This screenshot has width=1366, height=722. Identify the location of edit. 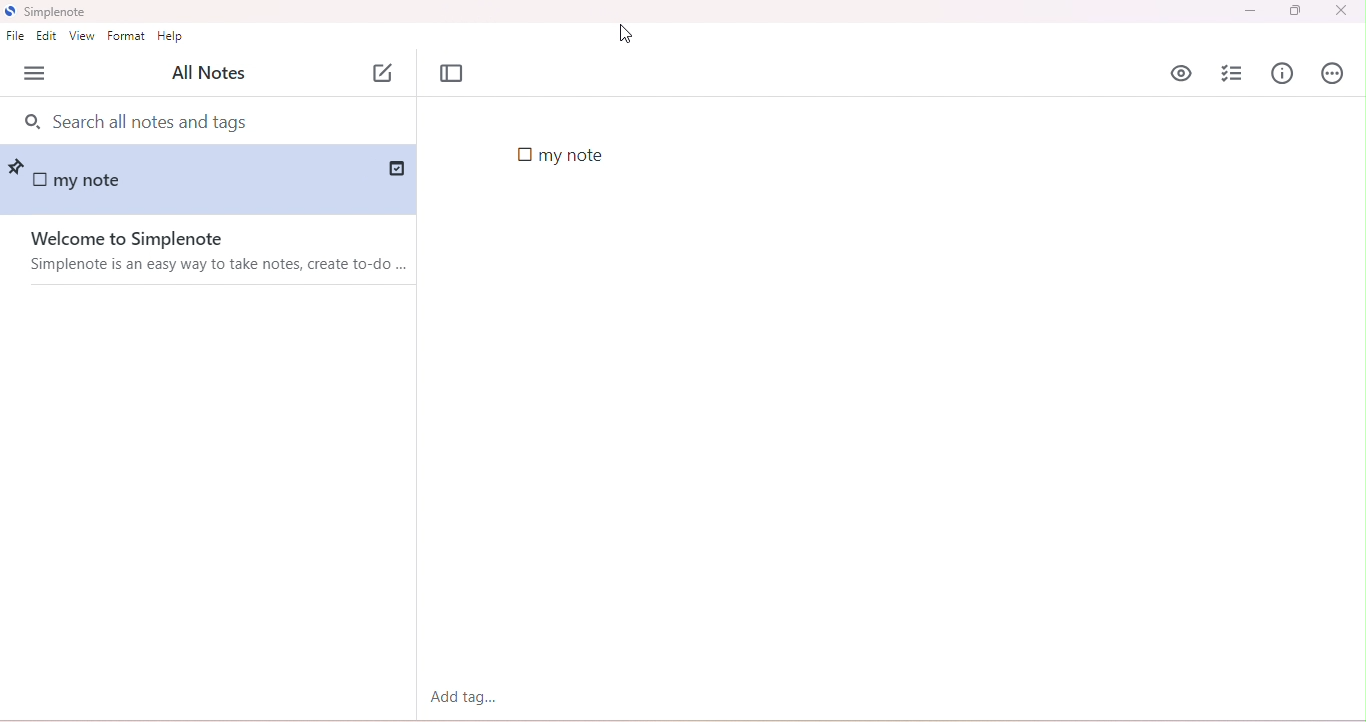
(48, 35).